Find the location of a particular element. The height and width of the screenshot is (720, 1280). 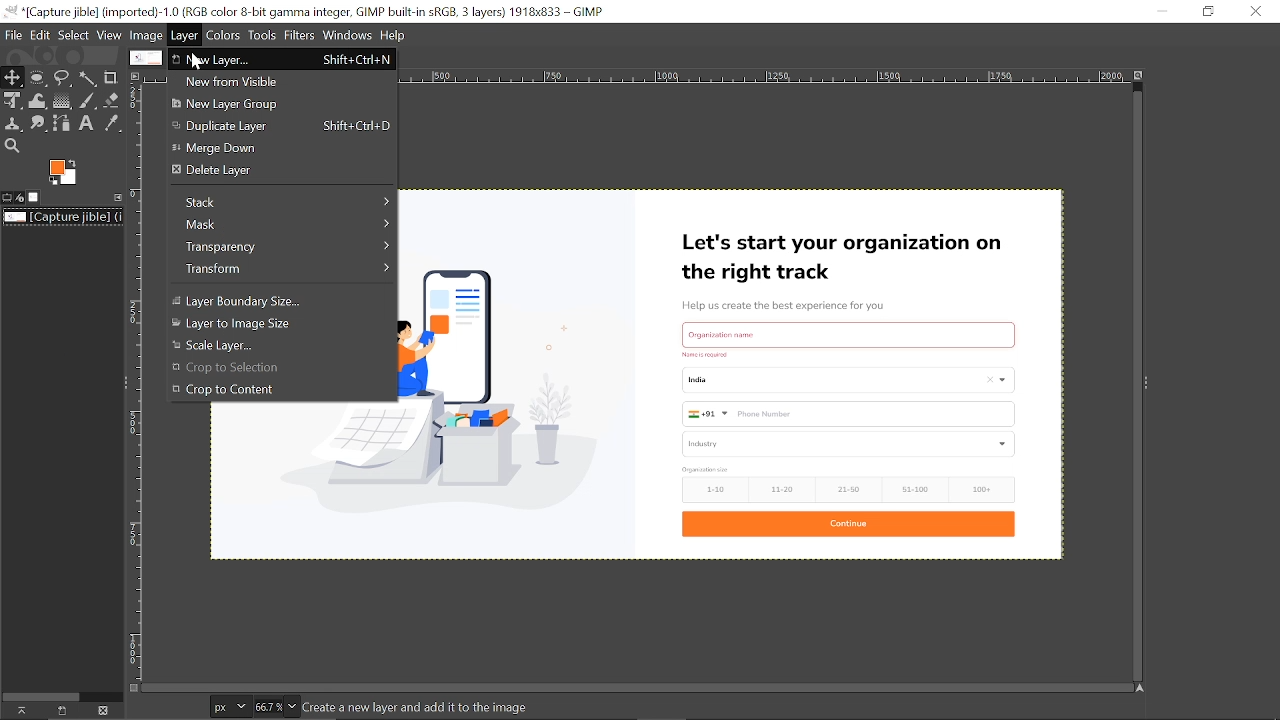

Text tool is located at coordinates (88, 124).